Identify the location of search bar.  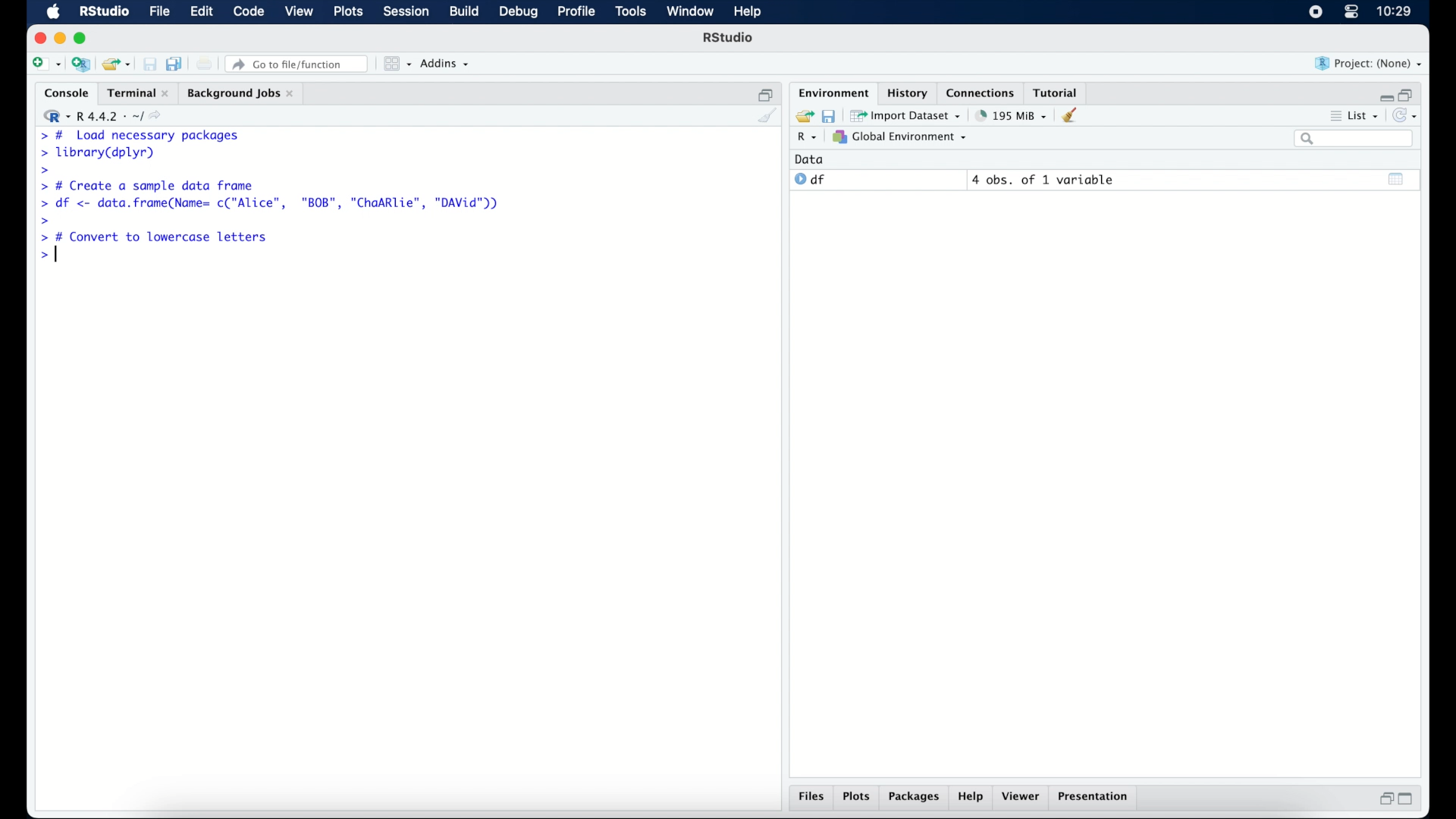
(1353, 140).